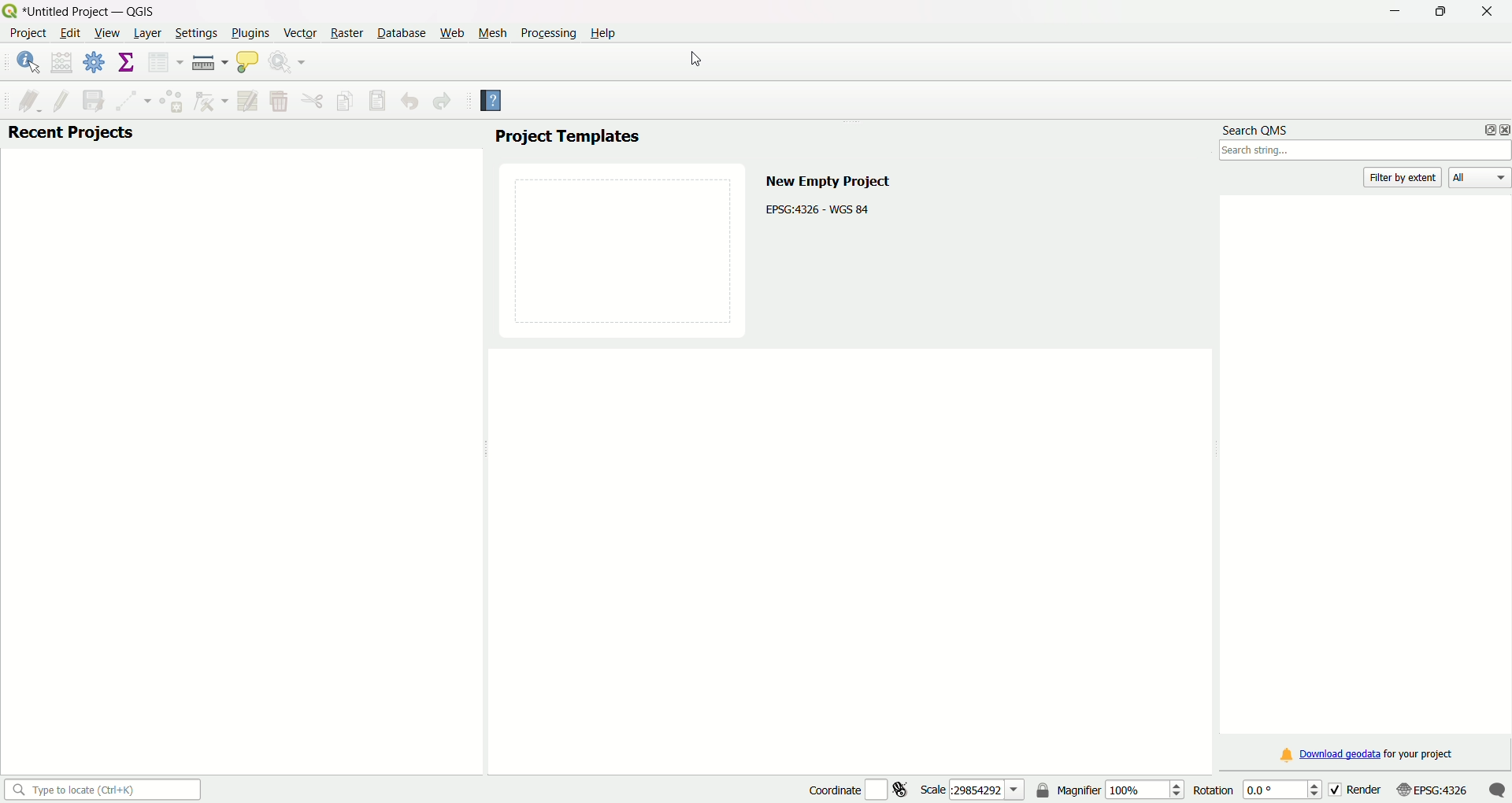 The image size is (1512, 803). Describe the element at coordinates (443, 102) in the screenshot. I see `redo` at that location.